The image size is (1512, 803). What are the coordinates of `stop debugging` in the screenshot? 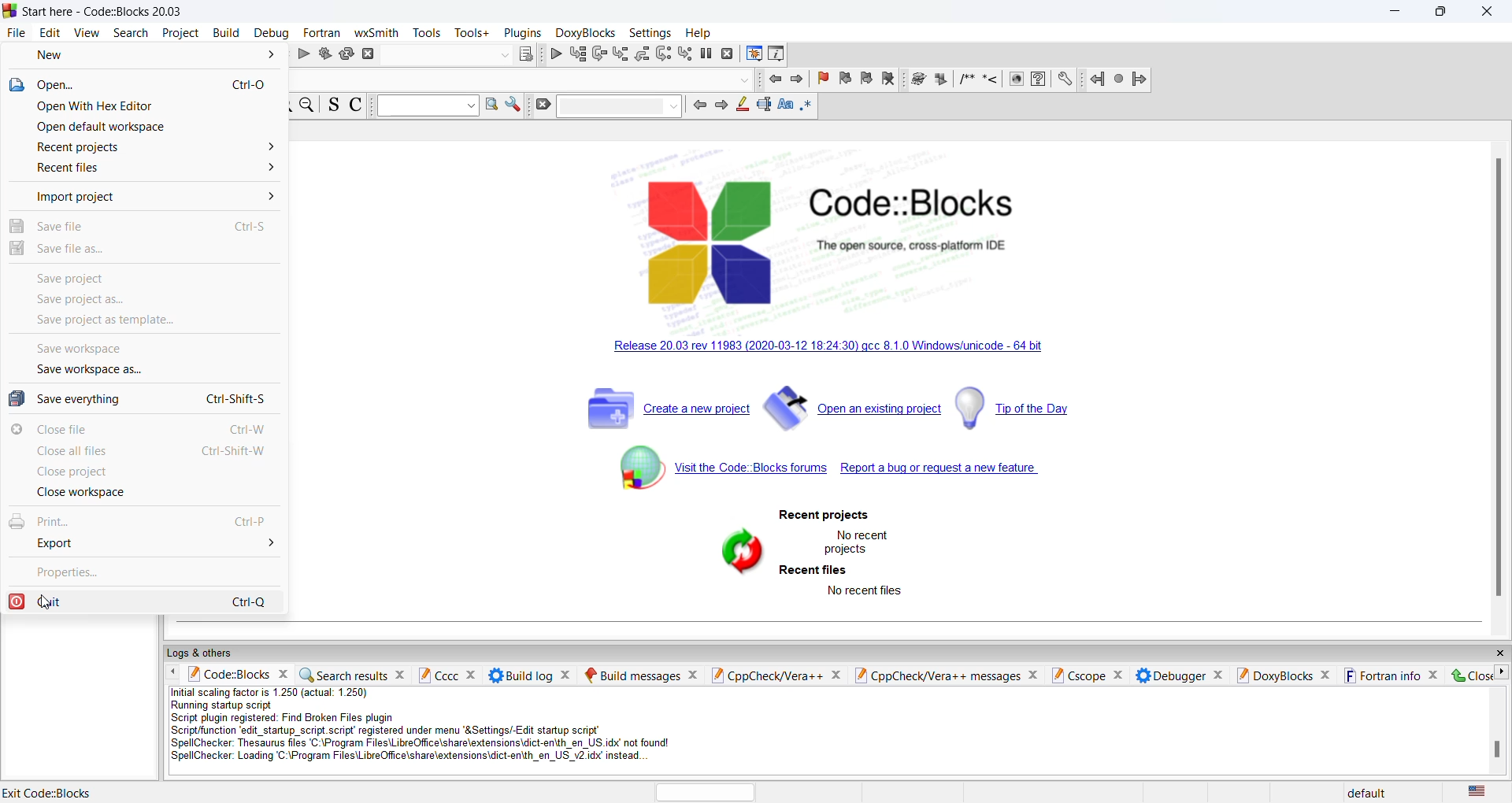 It's located at (727, 55).